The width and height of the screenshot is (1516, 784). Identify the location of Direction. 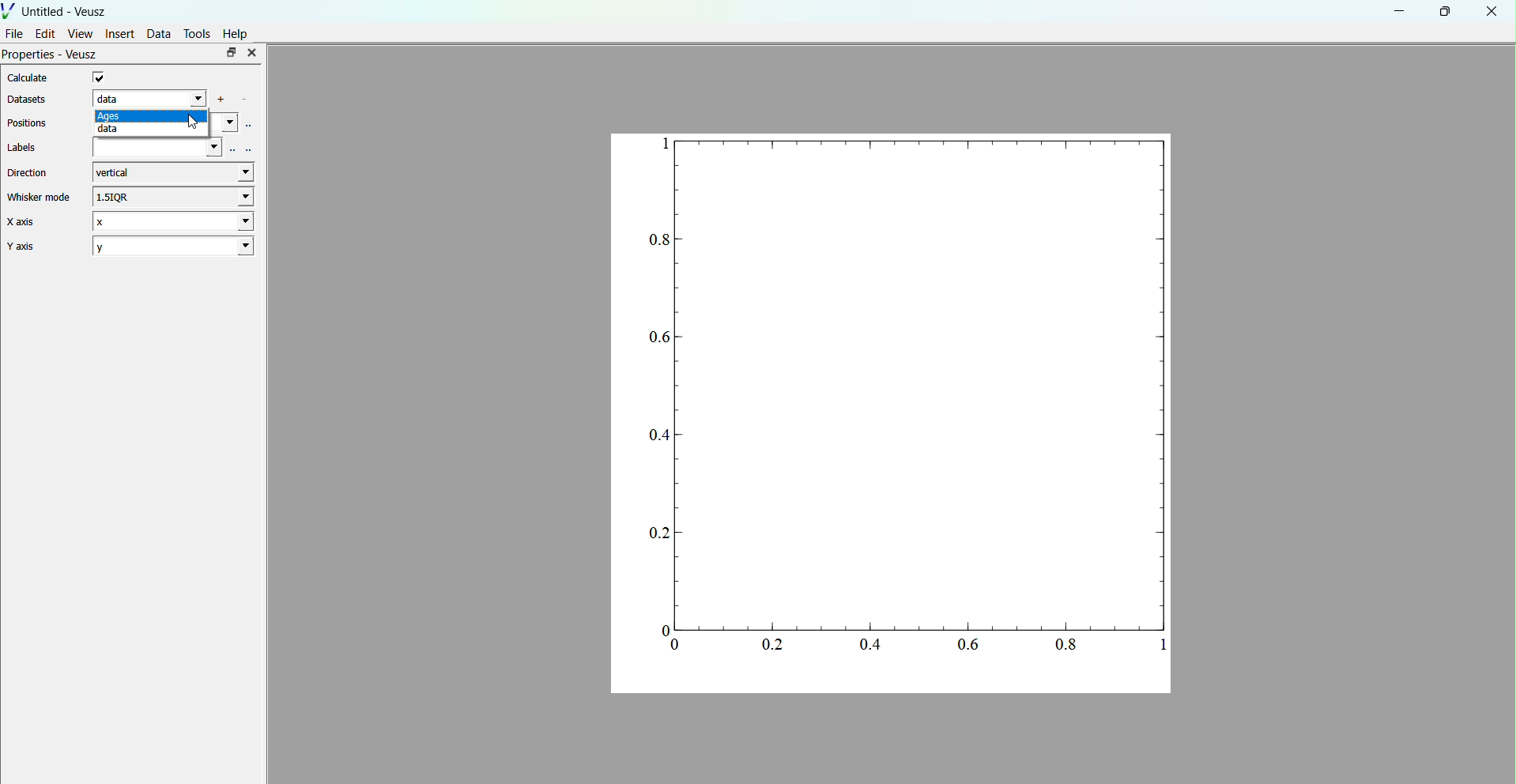
(35, 172).